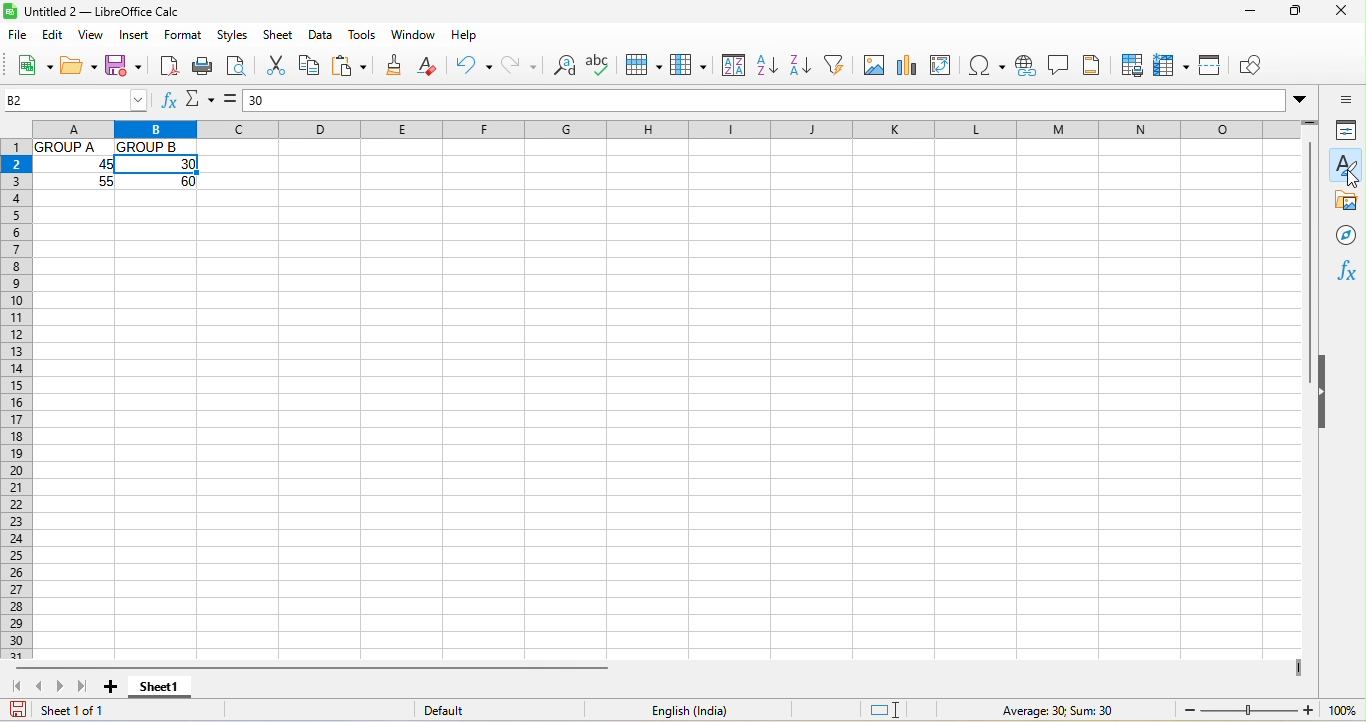  Describe the element at coordinates (907, 65) in the screenshot. I see `chart` at that location.